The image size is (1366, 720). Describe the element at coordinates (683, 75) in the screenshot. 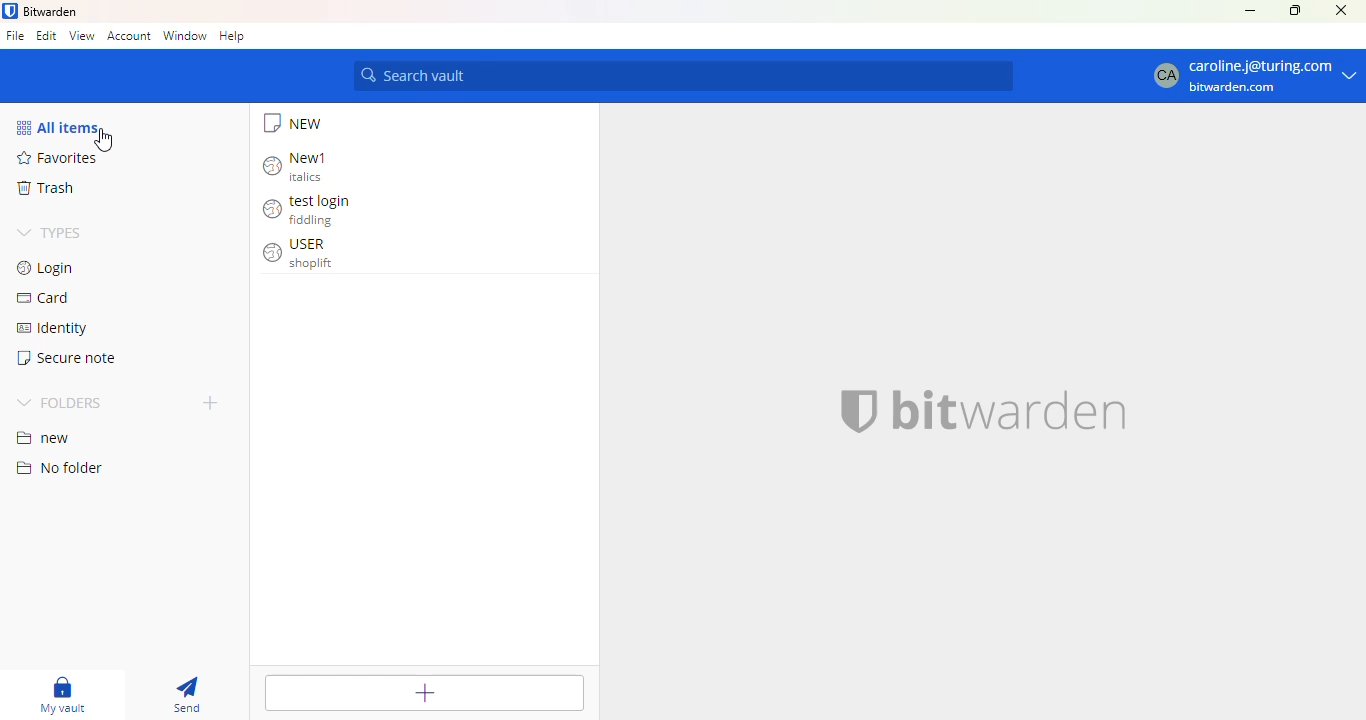

I see `search vault` at that location.